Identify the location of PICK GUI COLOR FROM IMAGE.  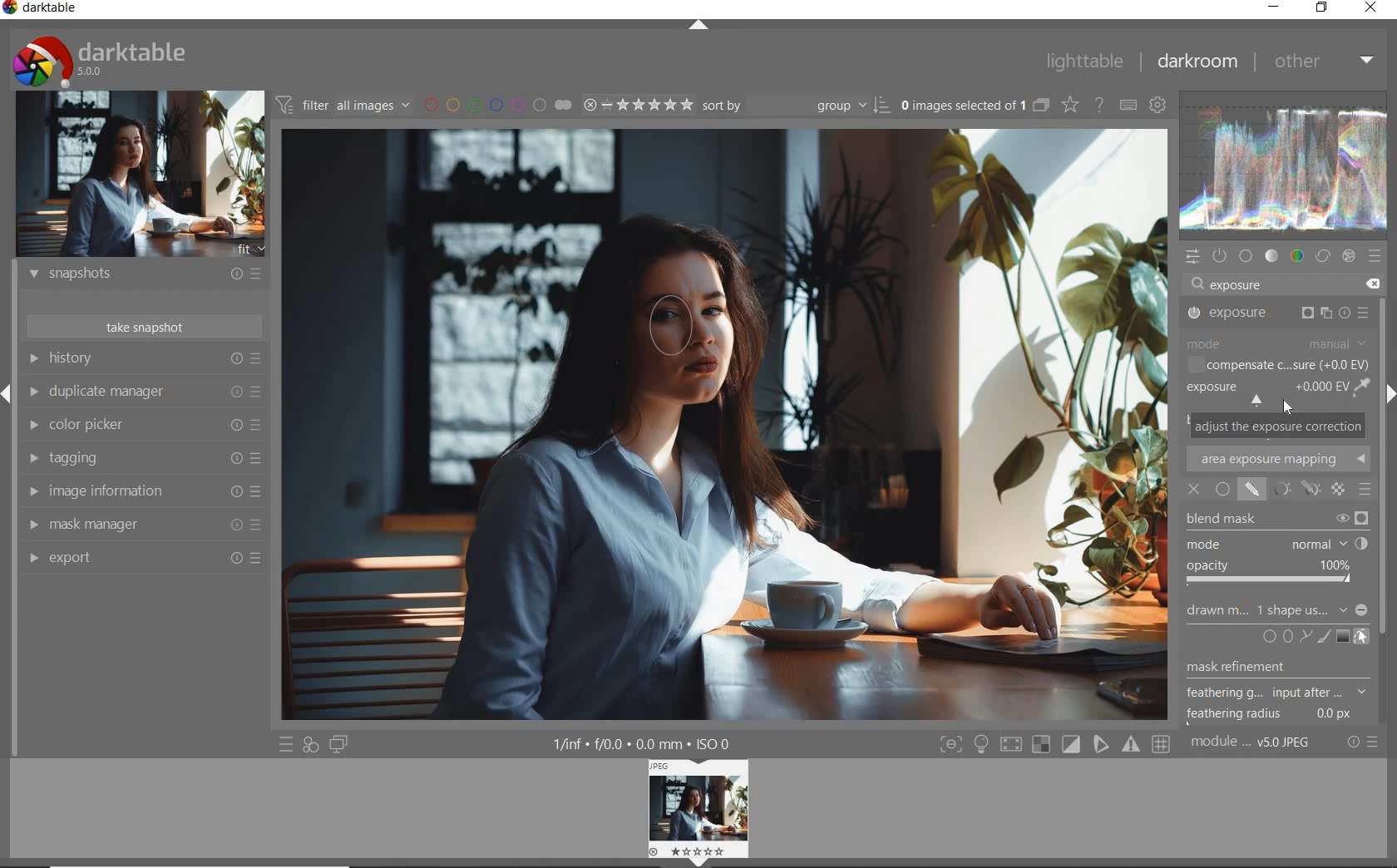
(1364, 387).